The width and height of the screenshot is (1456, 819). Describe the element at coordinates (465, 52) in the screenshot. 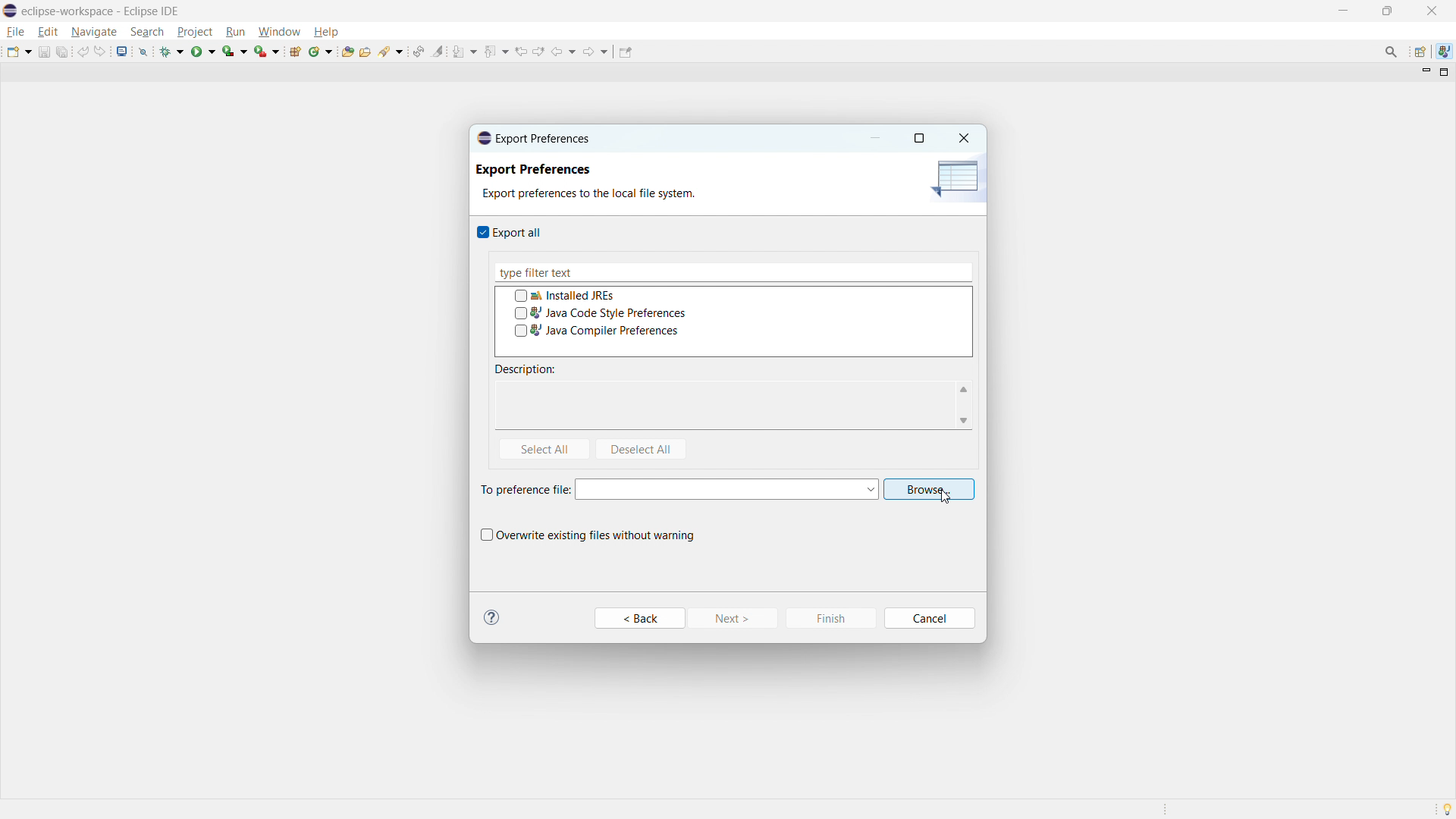

I see `next annotation` at that location.